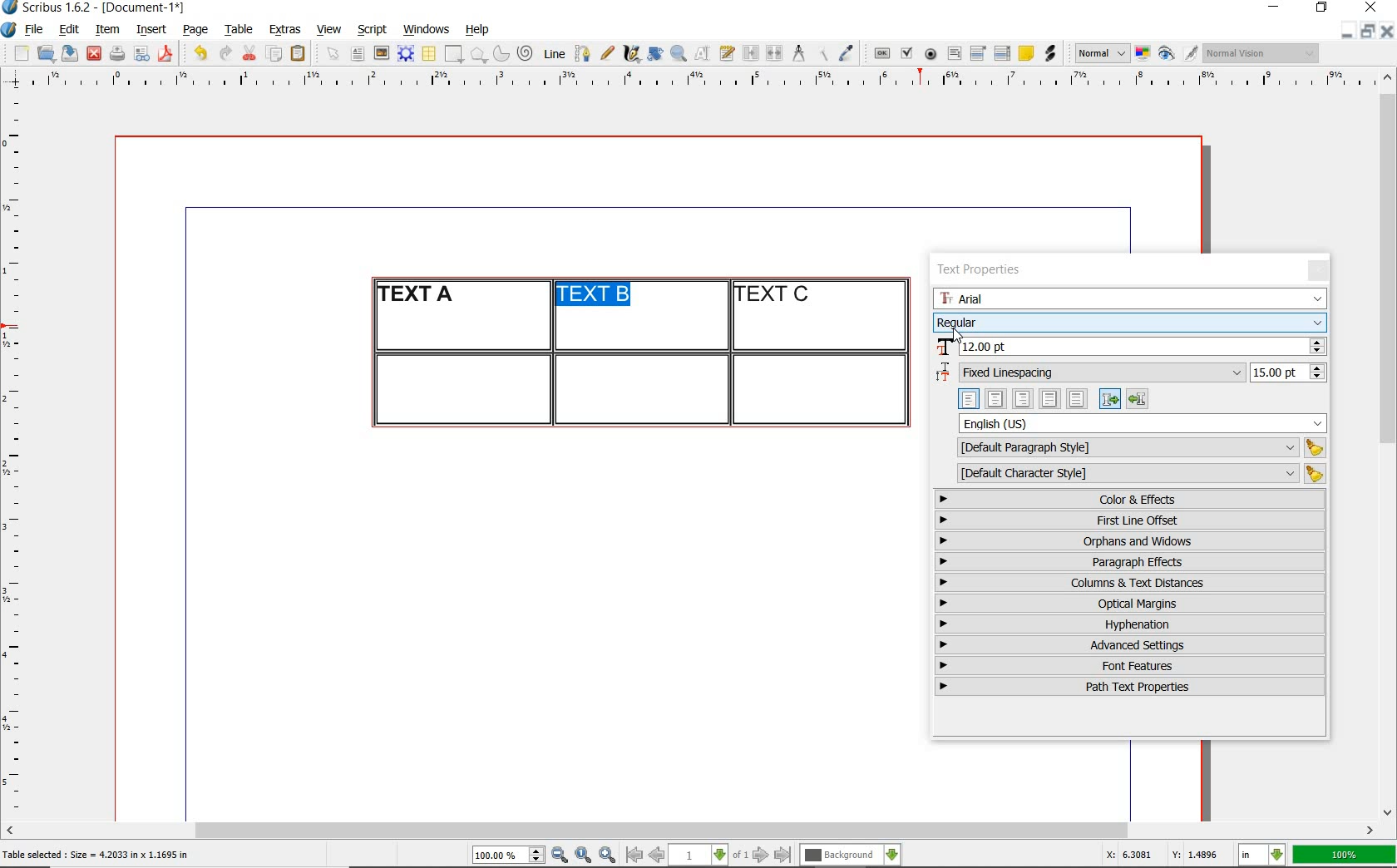 Image resolution: width=1397 pixels, height=868 pixels. Describe the element at coordinates (1128, 542) in the screenshot. I see `orphans & windows` at that location.